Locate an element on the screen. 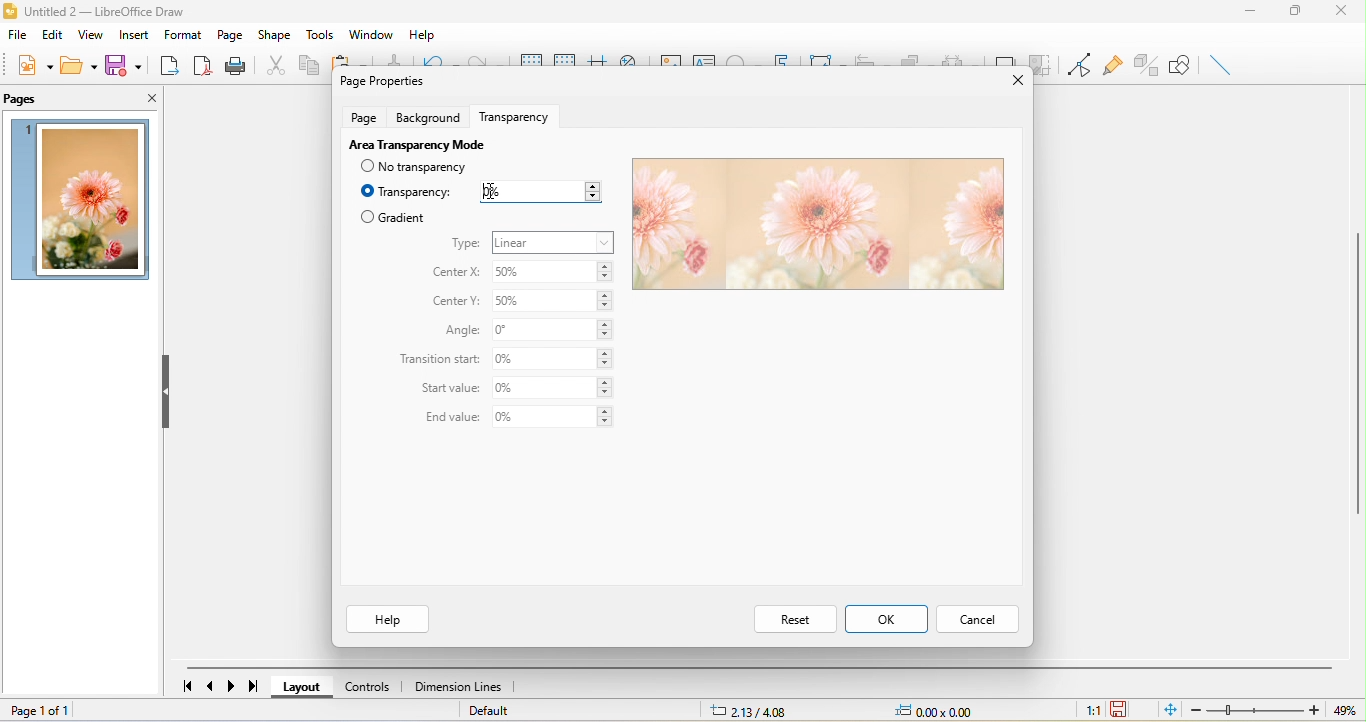  new is located at coordinates (36, 65).